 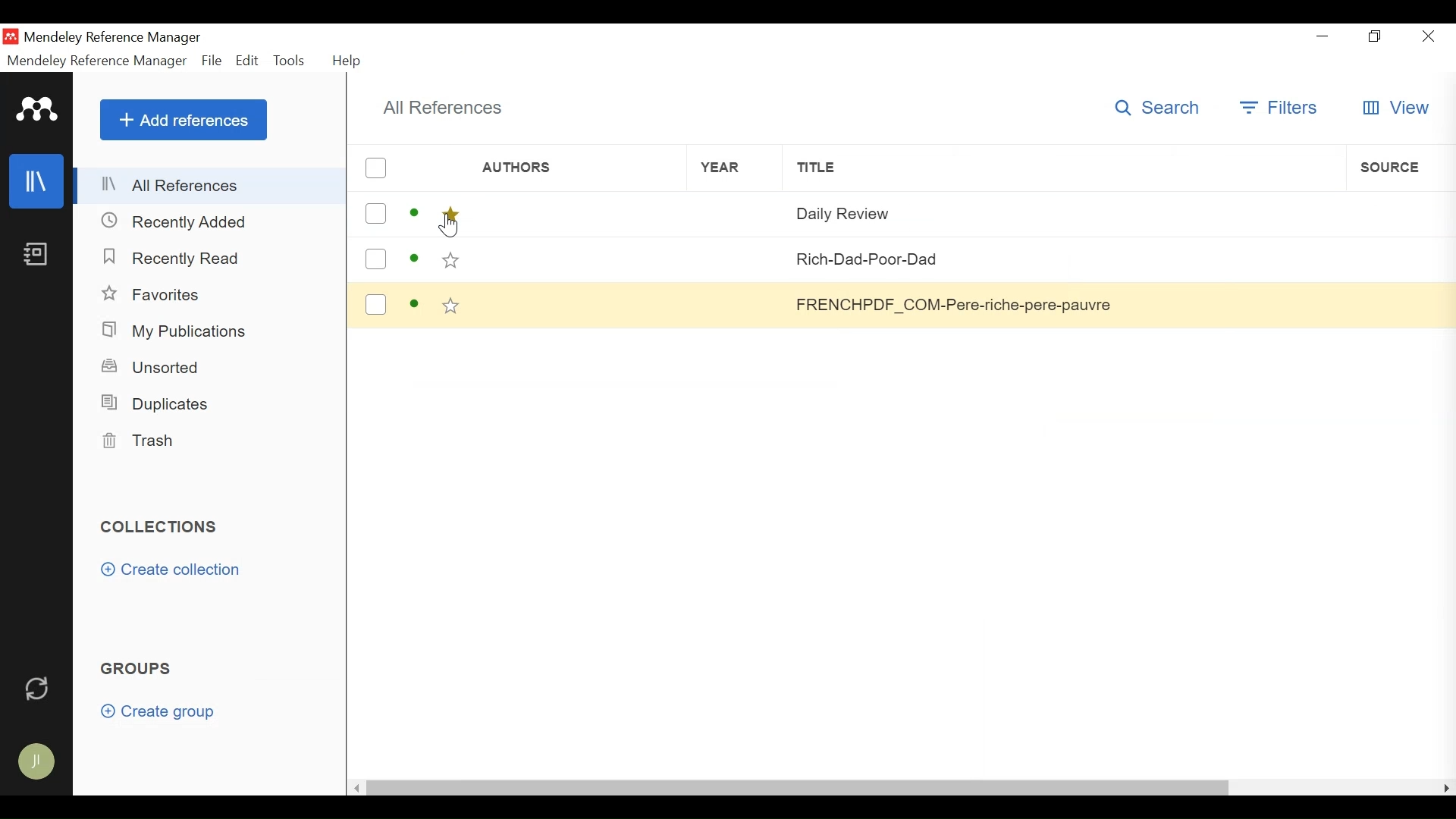 I want to click on Mendeley, so click(x=36, y=110).